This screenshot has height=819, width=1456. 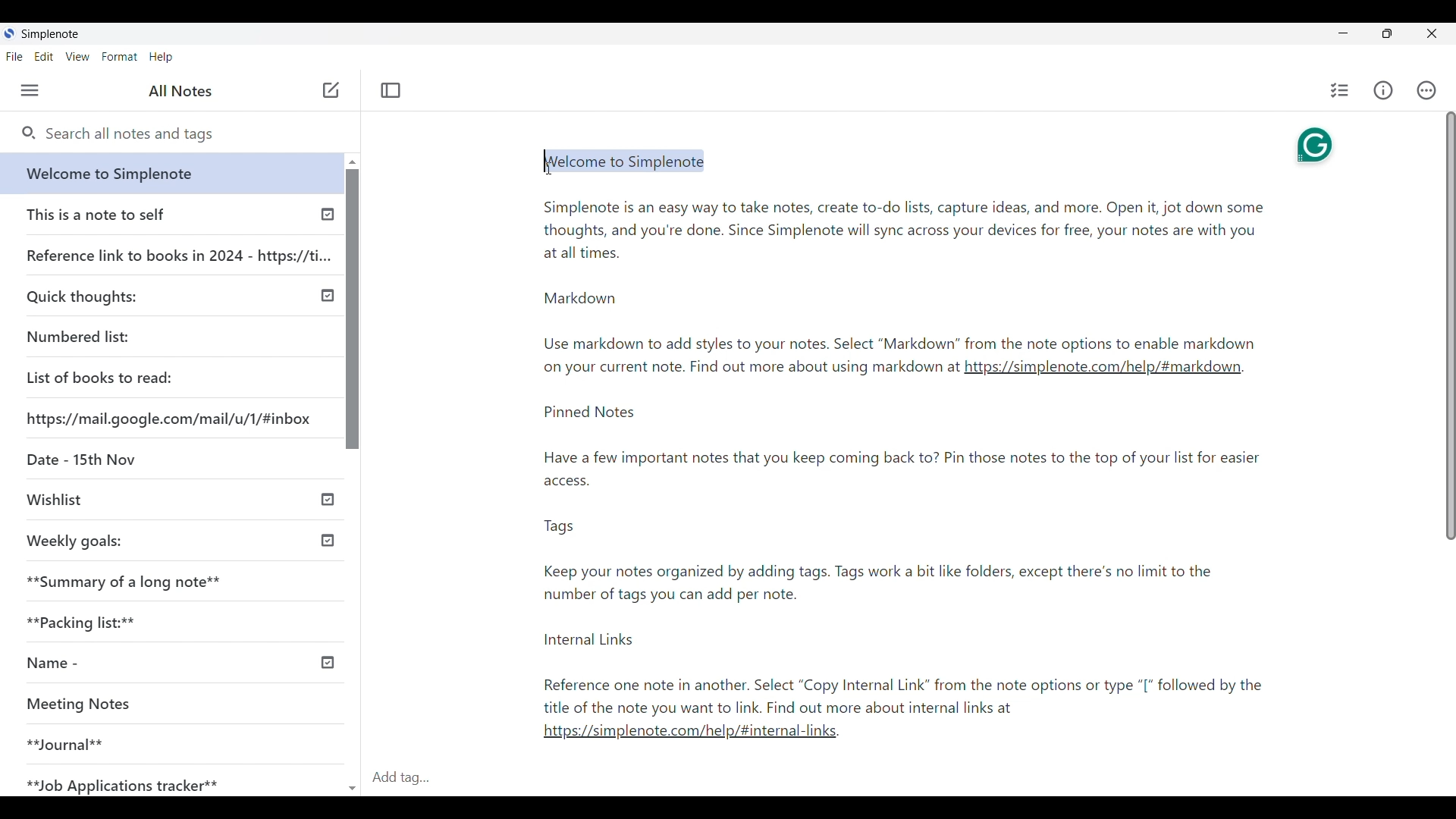 What do you see at coordinates (119, 57) in the screenshot?
I see `Format menu` at bounding box center [119, 57].